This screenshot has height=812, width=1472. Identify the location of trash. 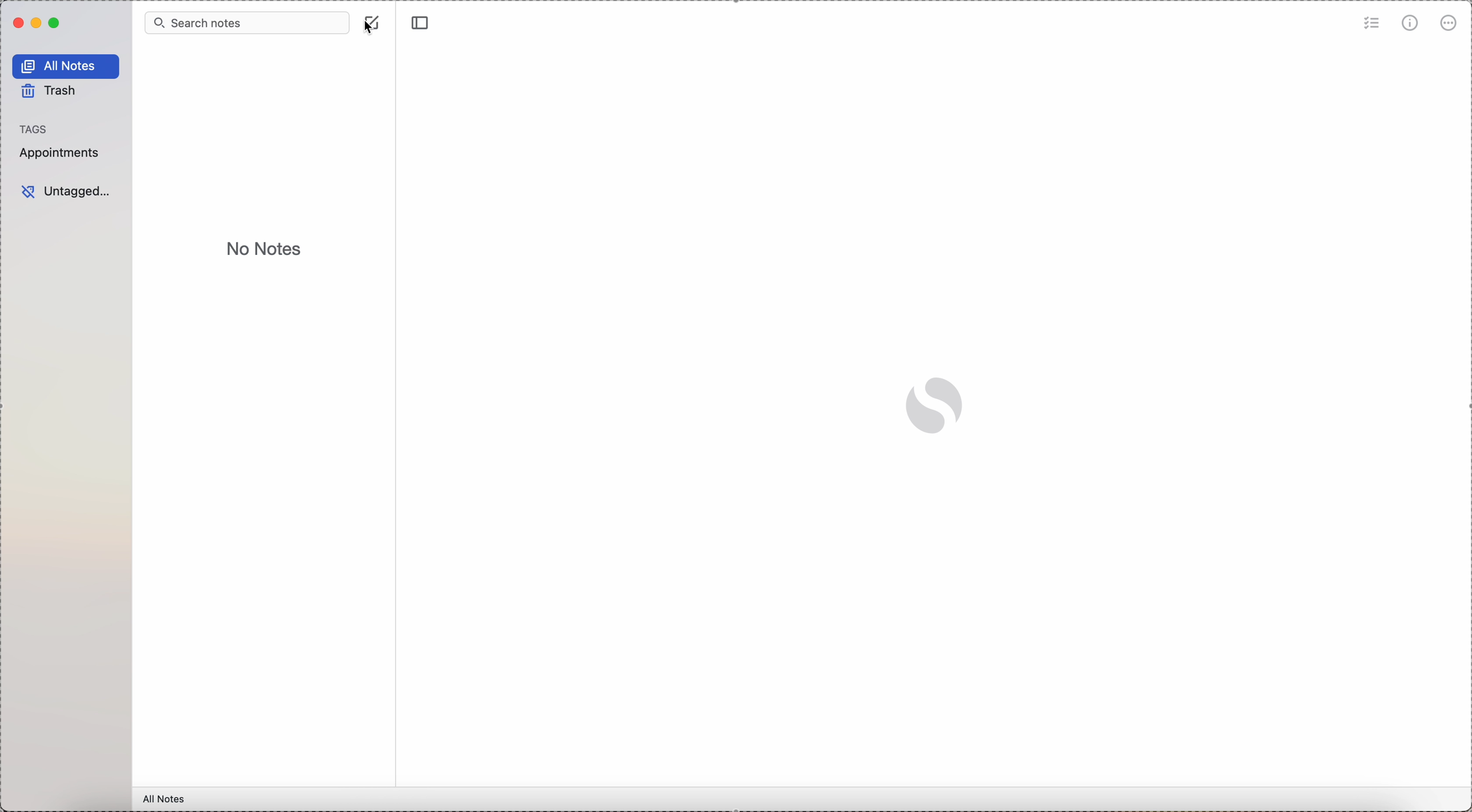
(51, 93).